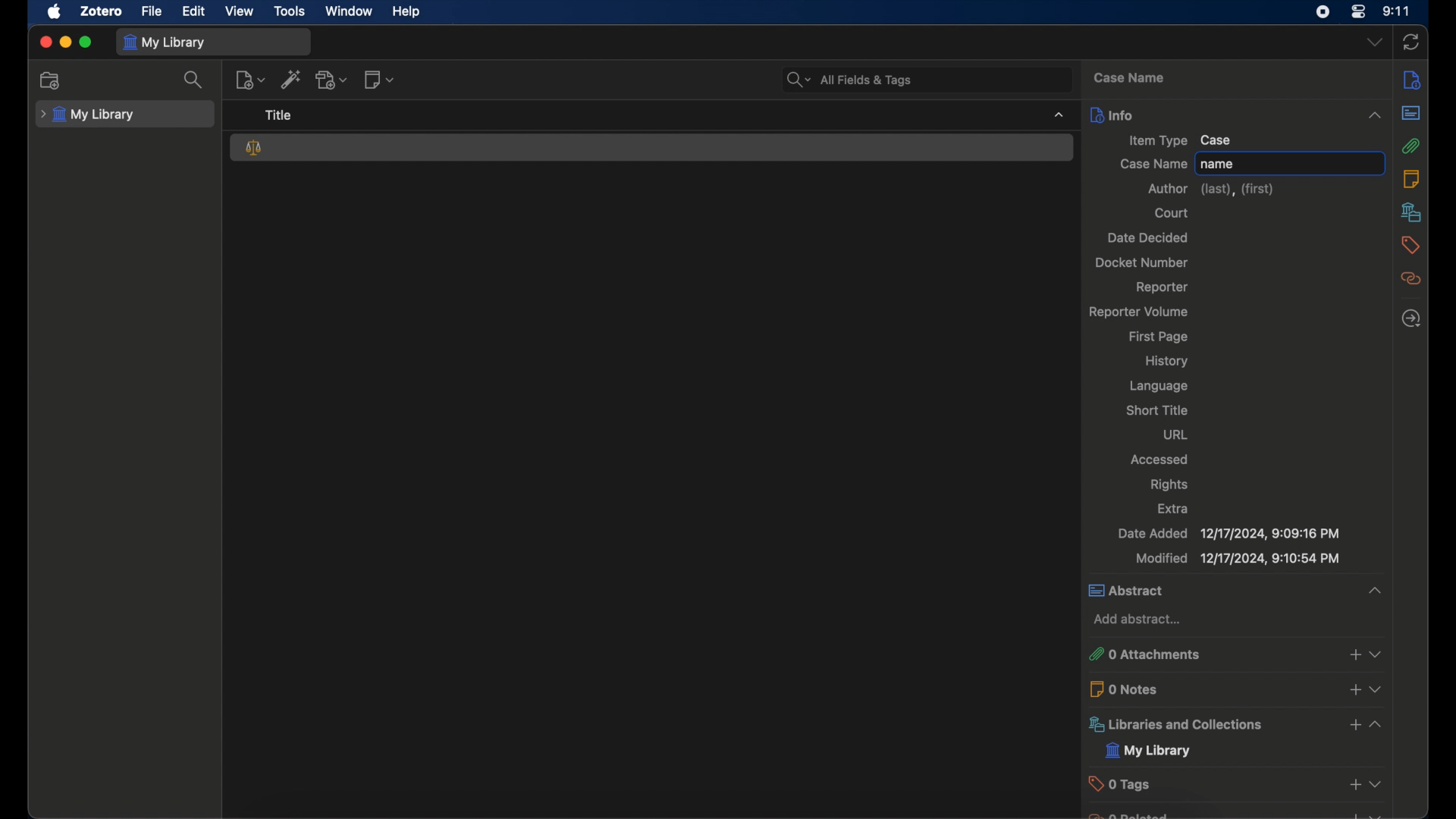 The width and height of the screenshot is (1456, 819). What do you see at coordinates (1323, 12) in the screenshot?
I see `screen recorder` at bounding box center [1323, 12].